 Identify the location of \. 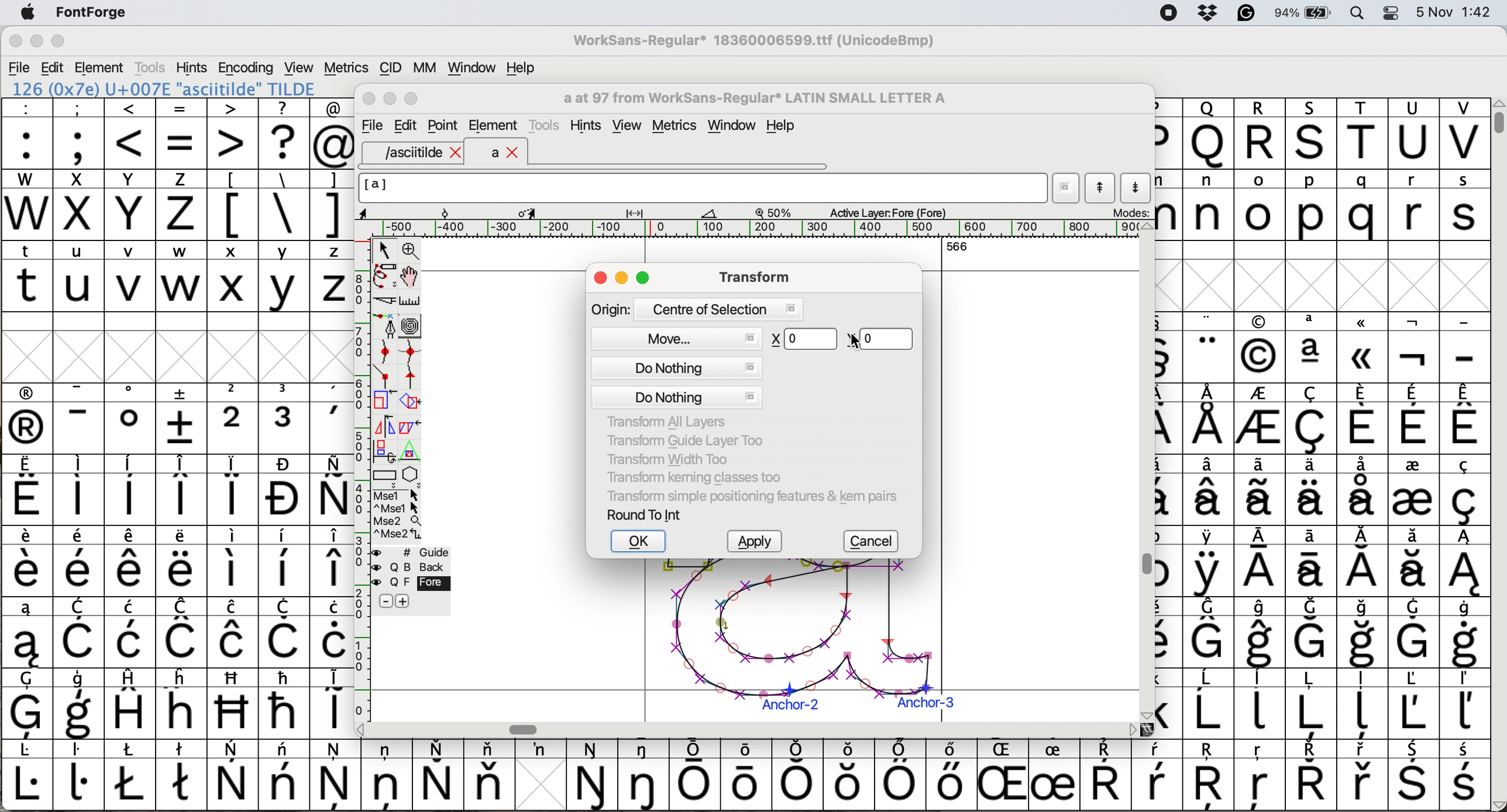
(283, 205).